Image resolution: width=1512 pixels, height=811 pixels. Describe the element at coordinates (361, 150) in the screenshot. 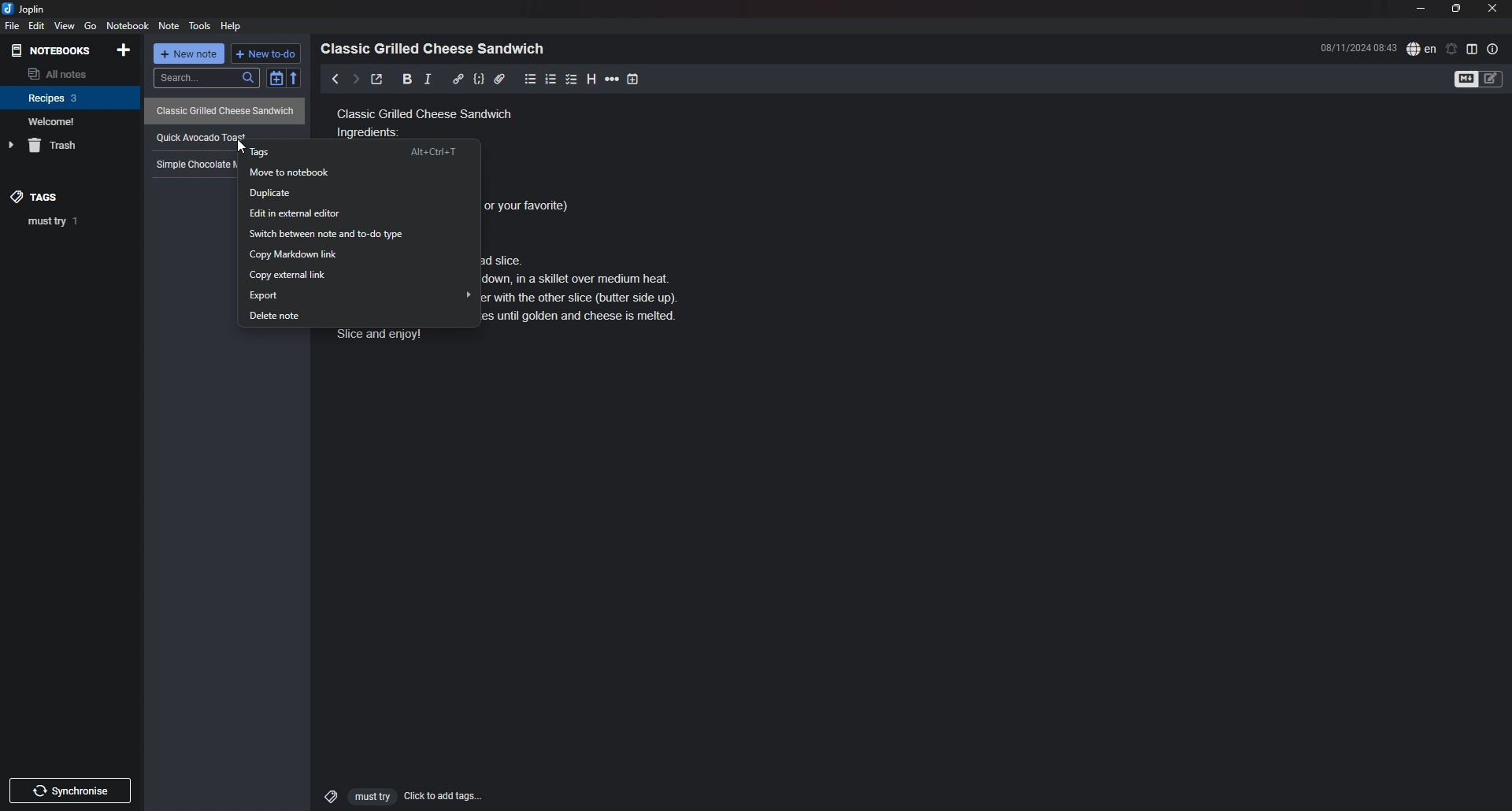

I see `tags` at that location.